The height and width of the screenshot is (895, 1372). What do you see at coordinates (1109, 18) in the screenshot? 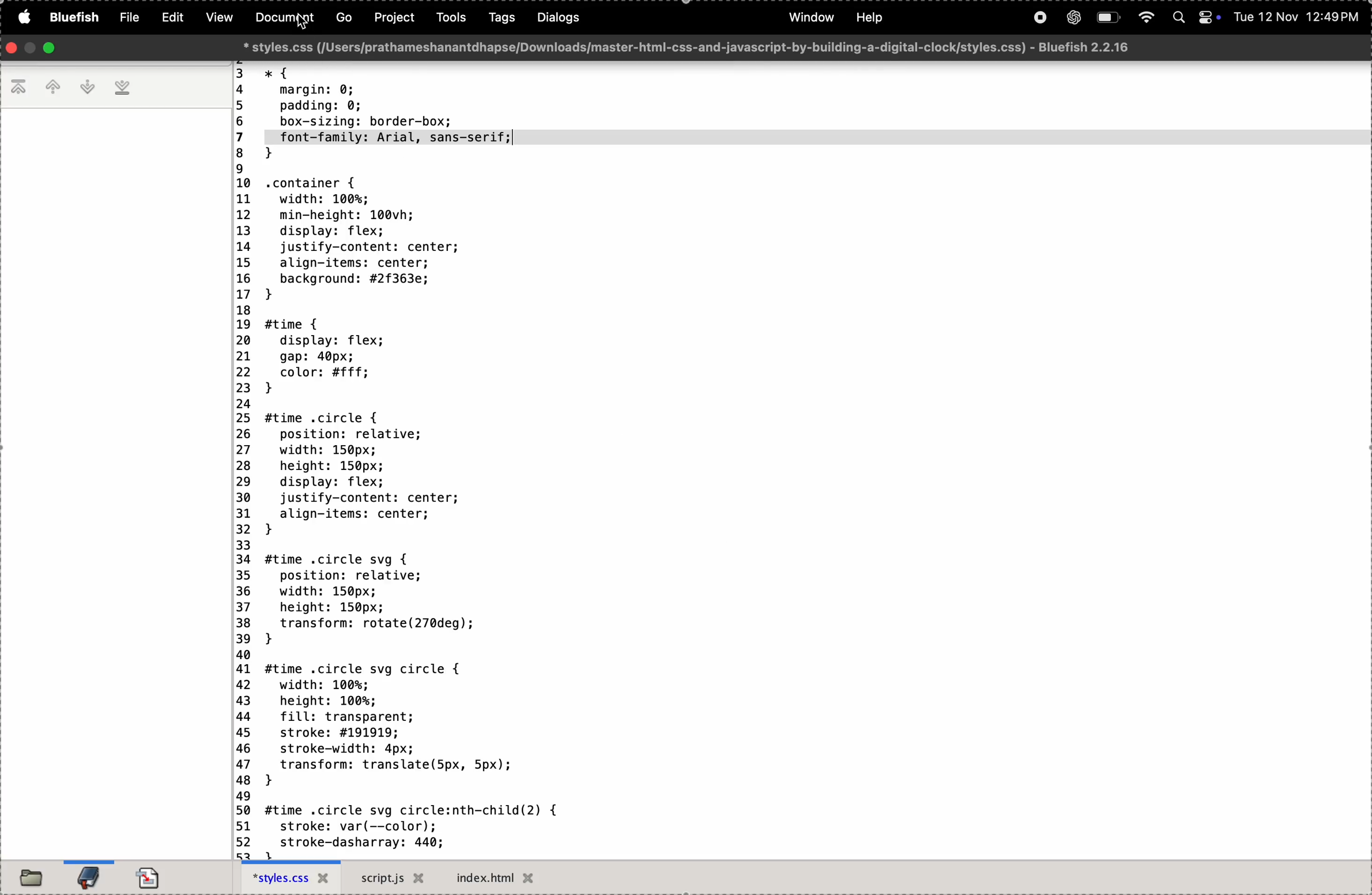
I see `battery` at bounding box center [1109, 18].